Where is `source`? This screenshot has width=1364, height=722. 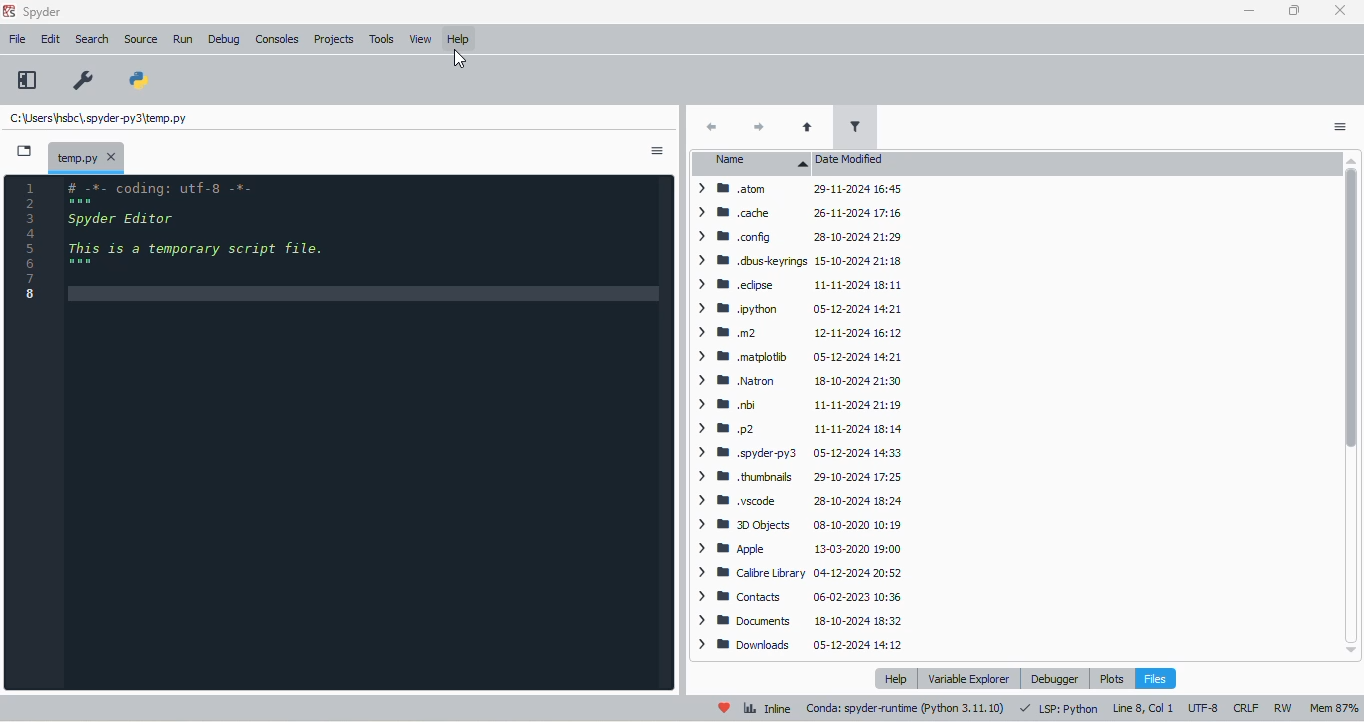
source is located at coordinates (141, 40).